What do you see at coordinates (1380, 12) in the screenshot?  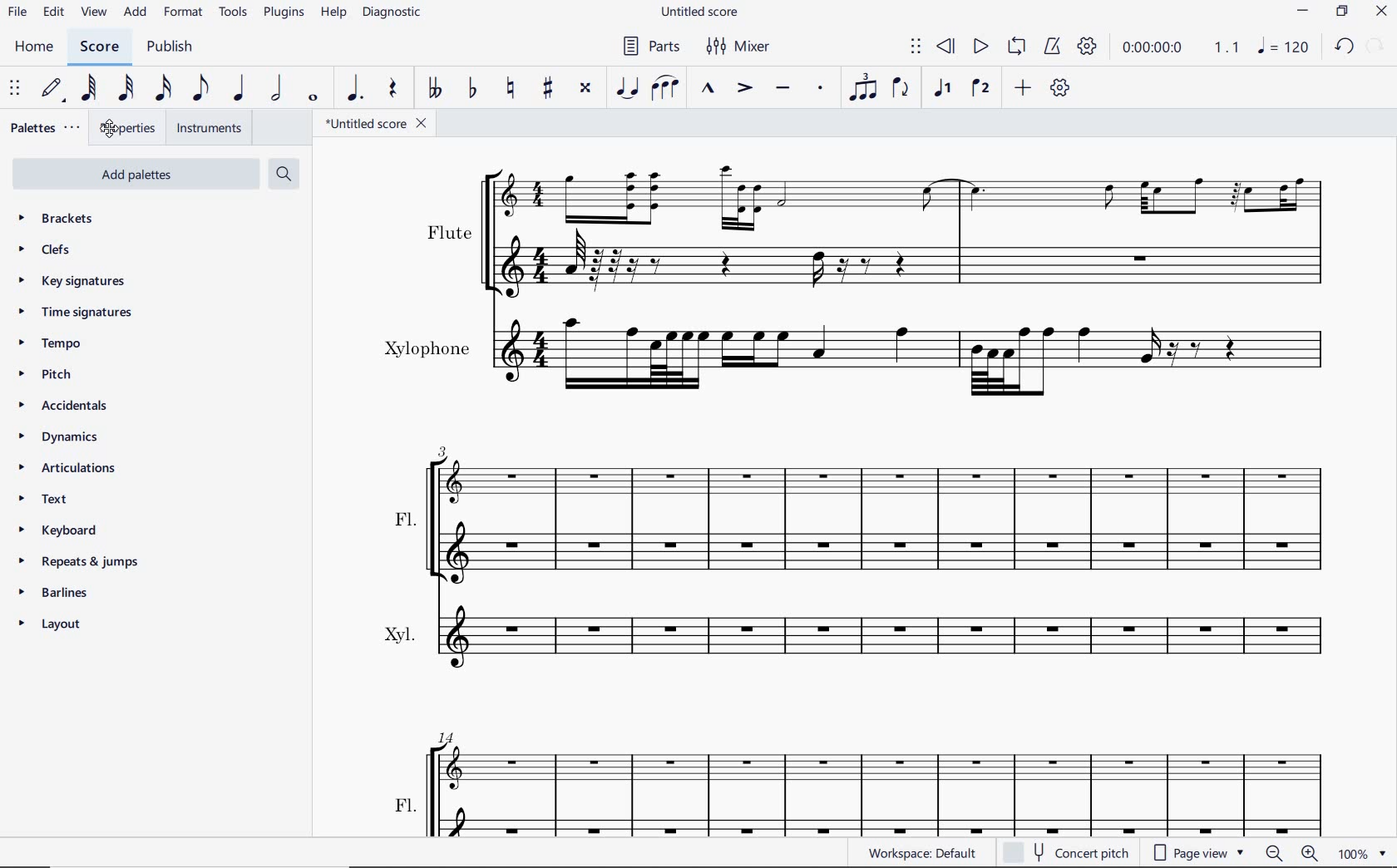 I see `CLOSE` at bounding box center [1380, 12].